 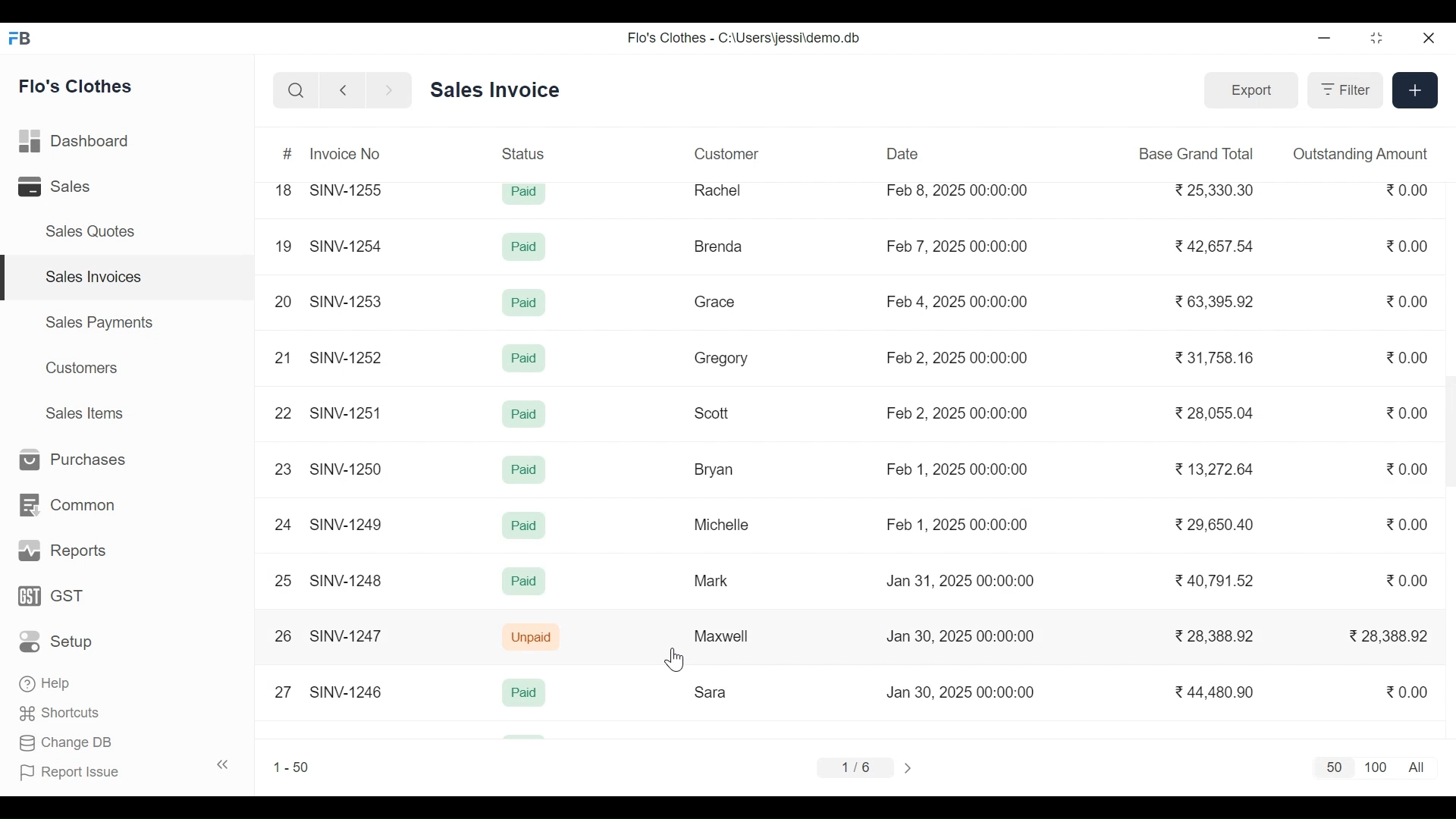 What do you see at coordinates (349, 635) in the screenshot?
I see `SINV-1247` at bounding box center [349, 635].